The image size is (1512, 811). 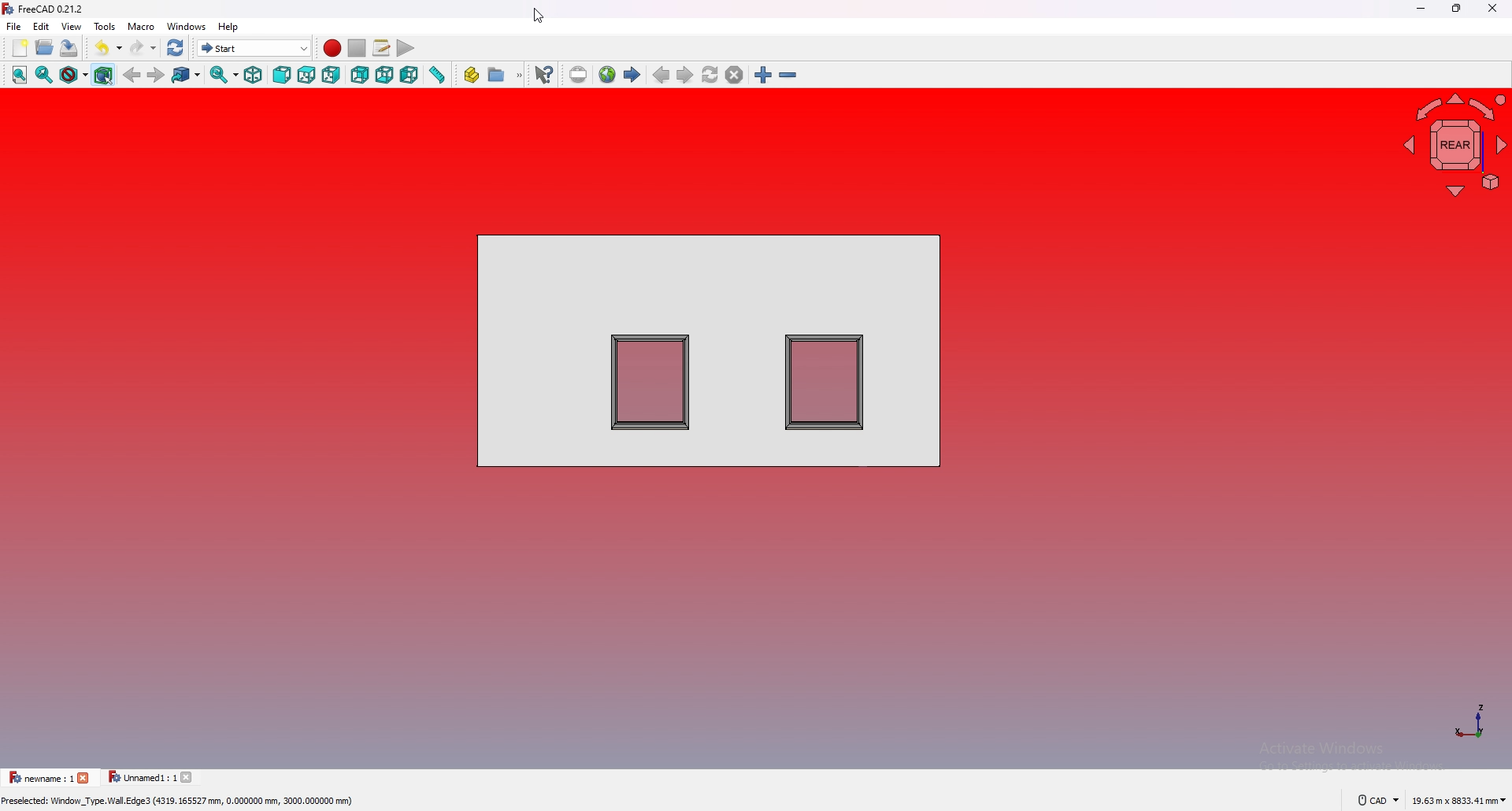 I want to click on fit selection, so click(x=45, y=75).